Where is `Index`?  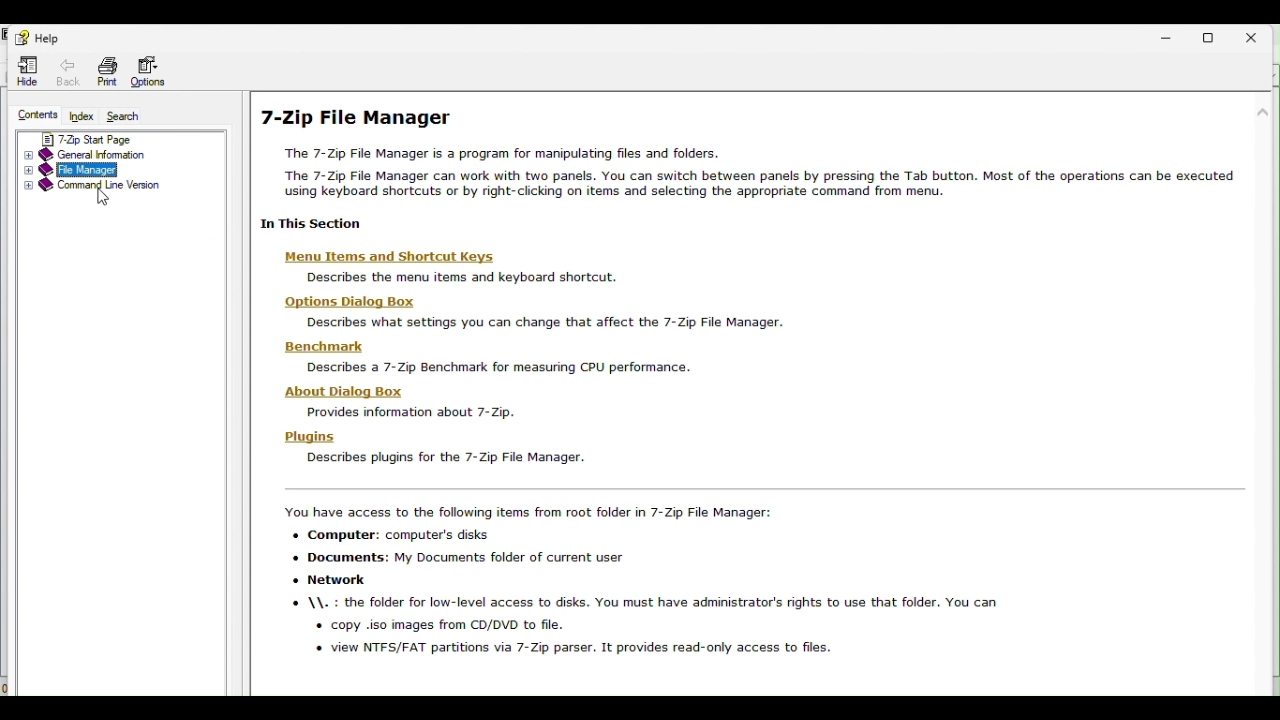
Index is located at coordinates (80, 117).